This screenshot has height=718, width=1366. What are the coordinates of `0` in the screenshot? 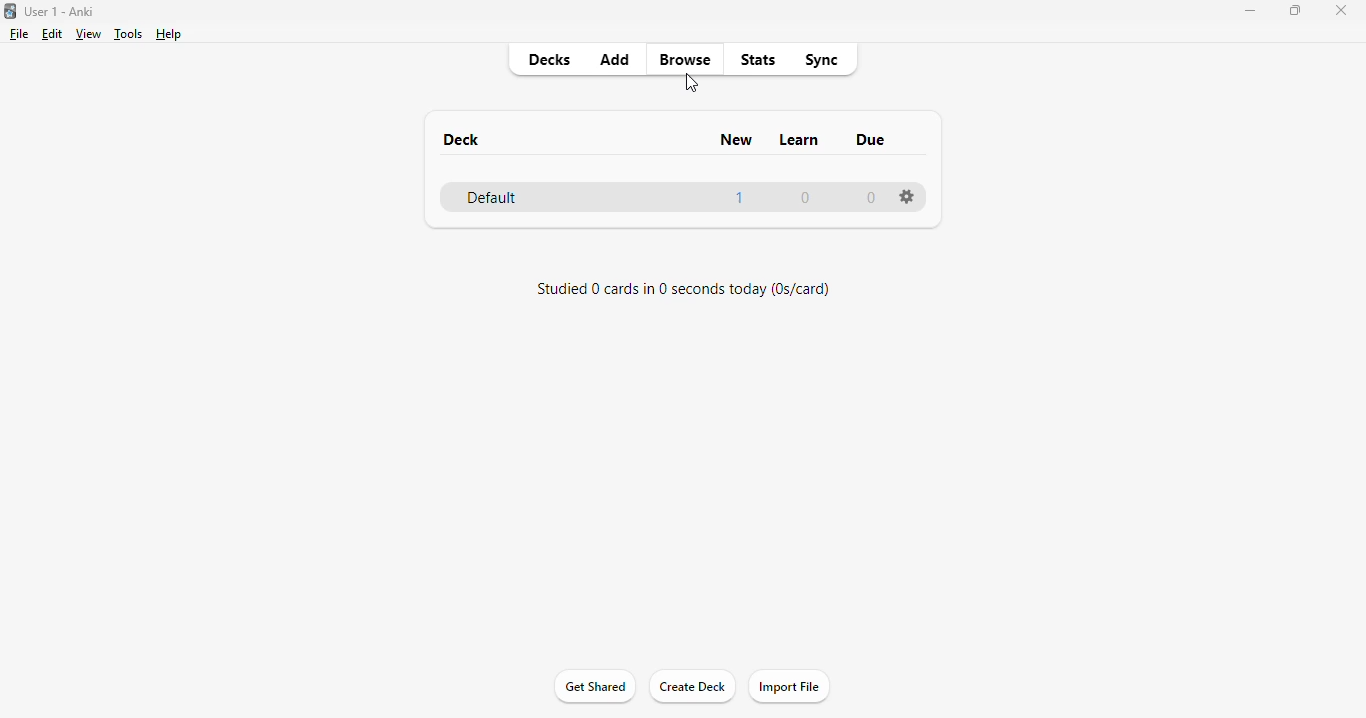 It's located at (805, 199).